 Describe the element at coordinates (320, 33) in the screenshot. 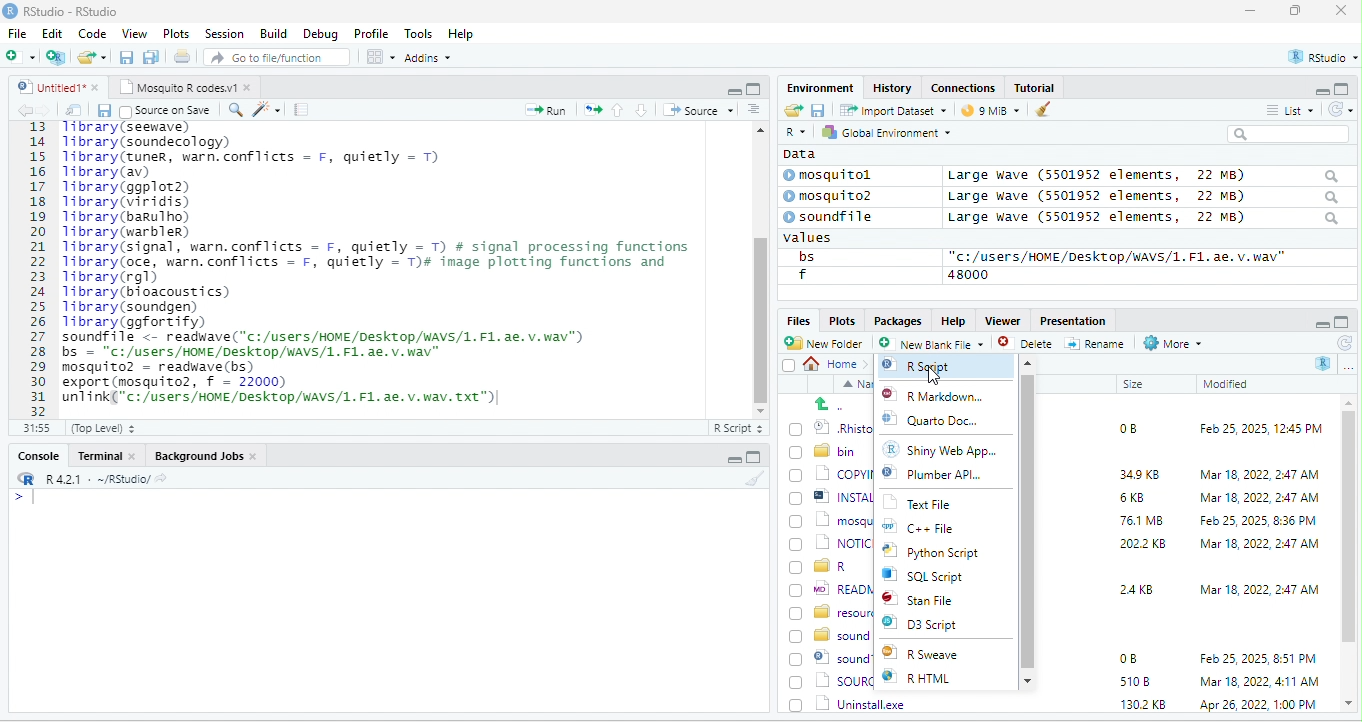

I see `Debug` at that location.